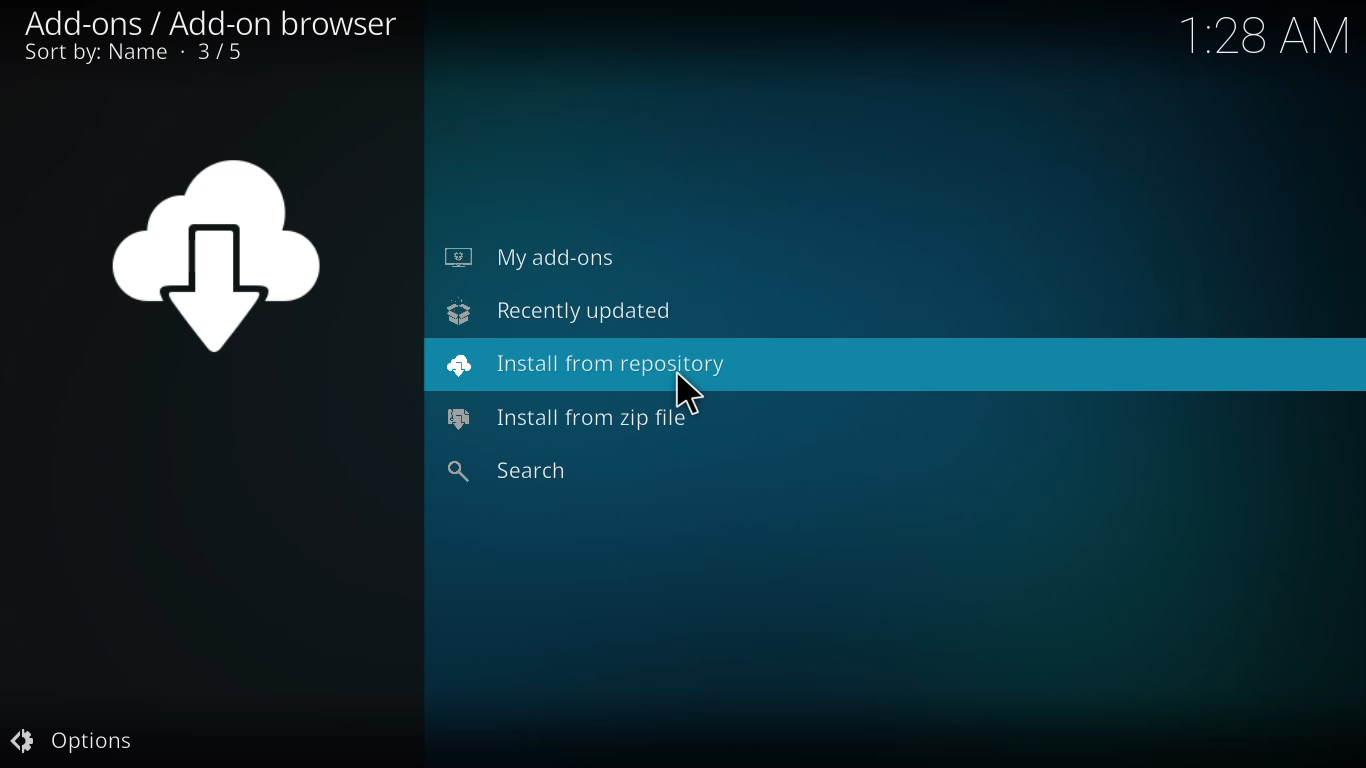 The image size is (1366, 768). I want to click on search, so click(515, 470).